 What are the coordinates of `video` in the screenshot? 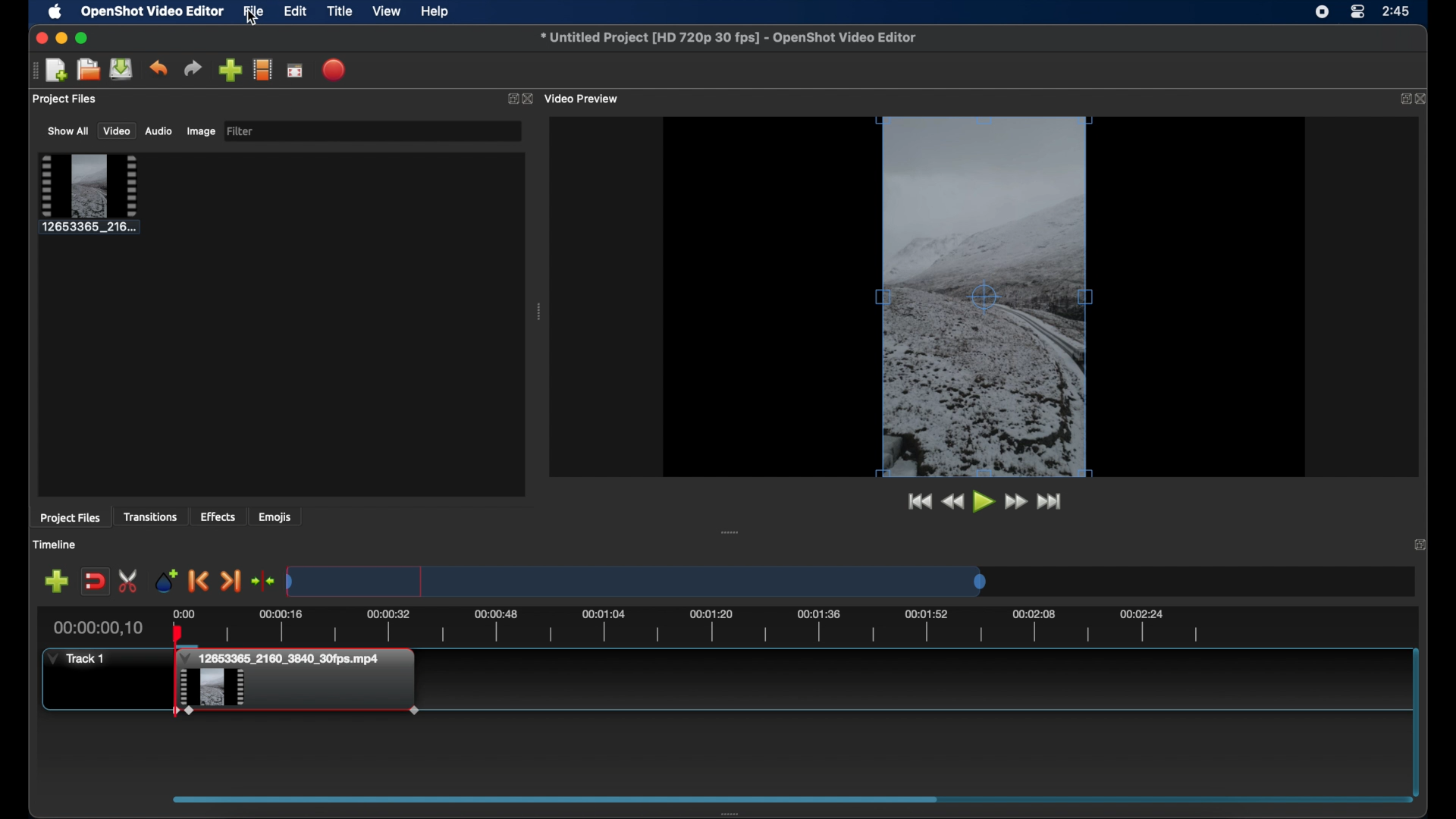 It's located at (117, 131).